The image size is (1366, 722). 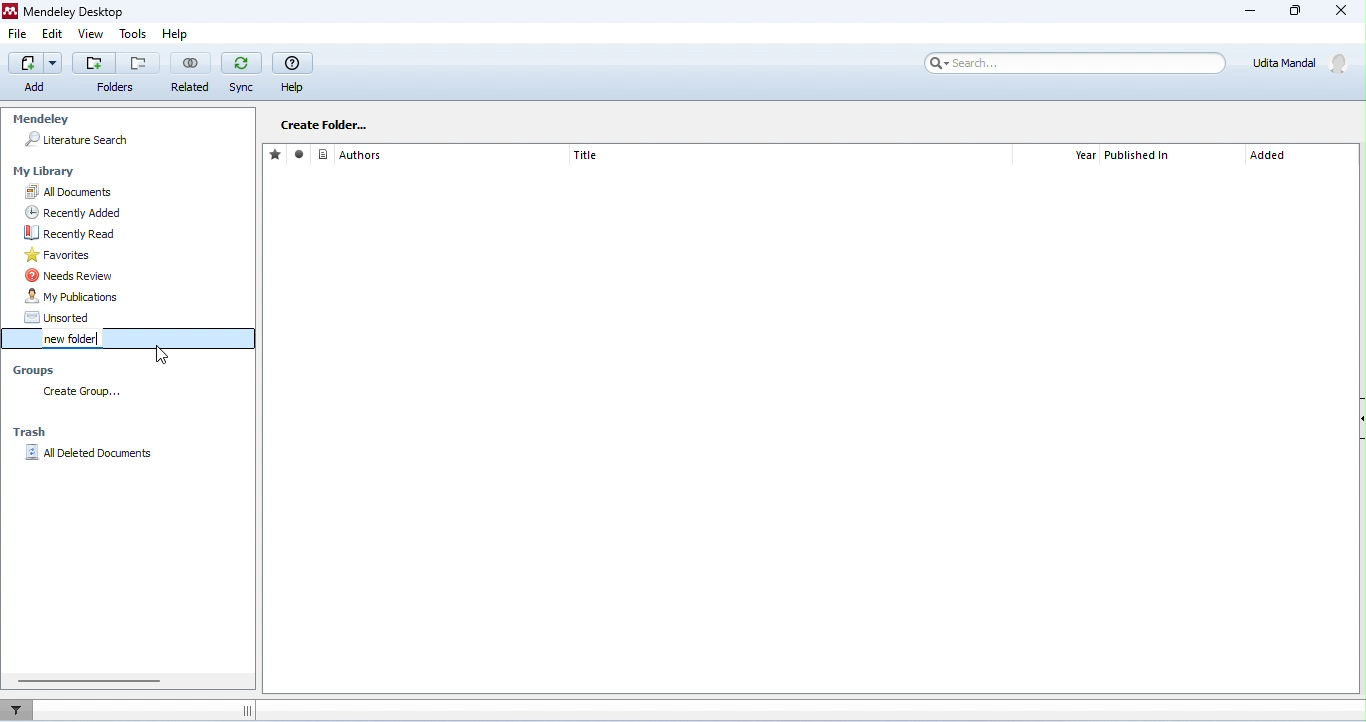 I want to click on Mendeley desktop, so click(x=70, y=11).